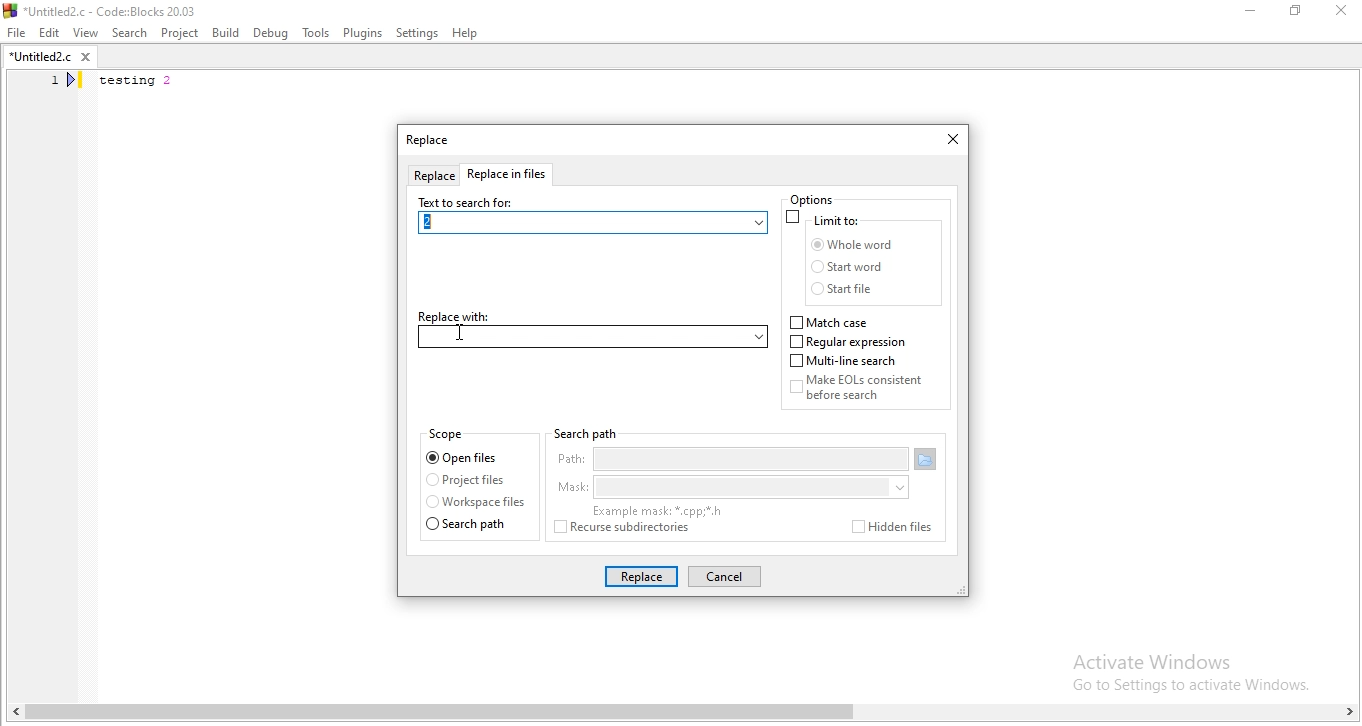 Image resolution: width=1362 pixels, height=726 pixels. What do you see at coordinates (1343, 12) in the screenshot?
I see `Close` at bounding box center [1343, 12].